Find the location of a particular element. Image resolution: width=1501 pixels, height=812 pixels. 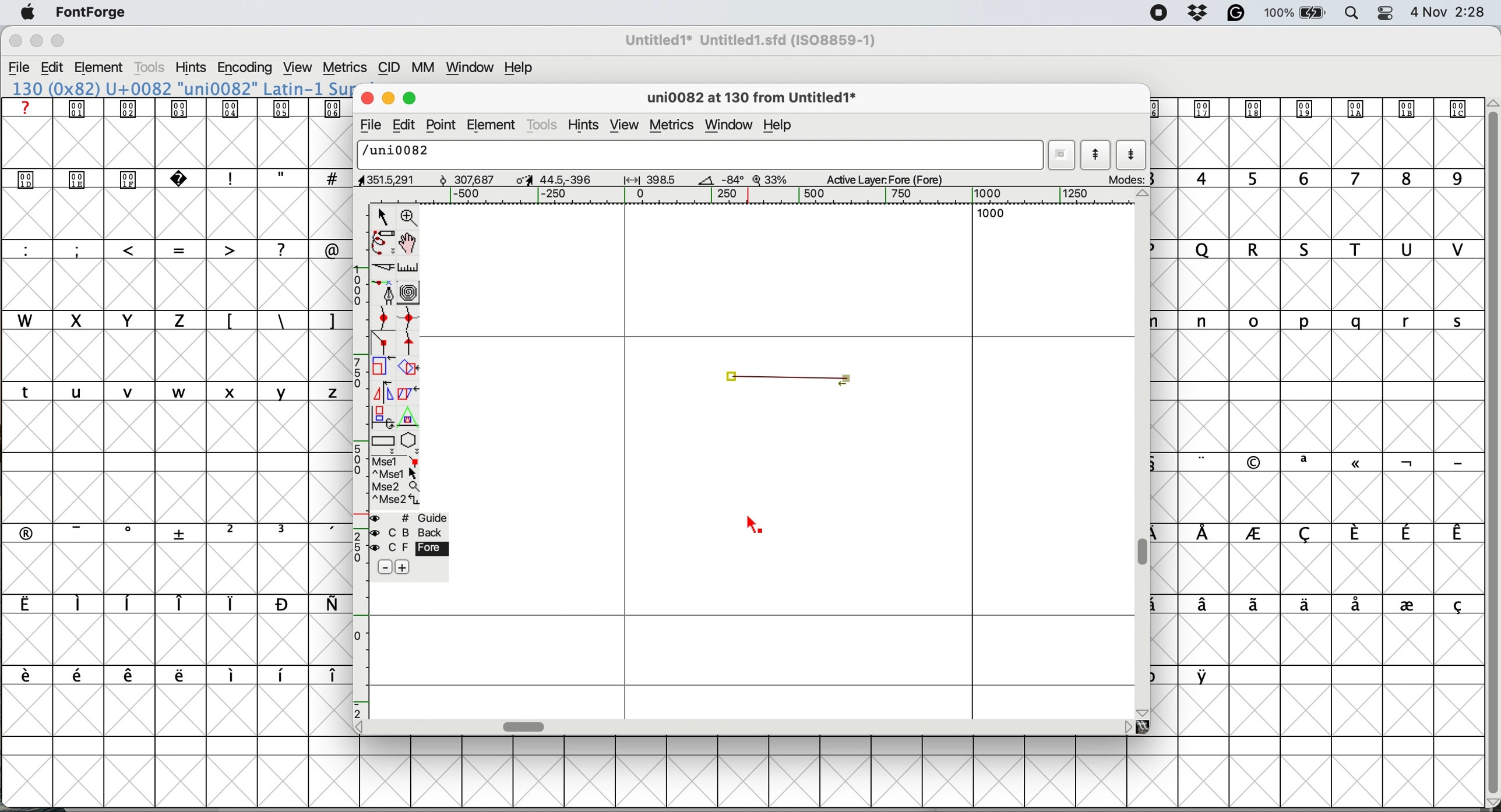

maximise is located at coordinates (412, 96).